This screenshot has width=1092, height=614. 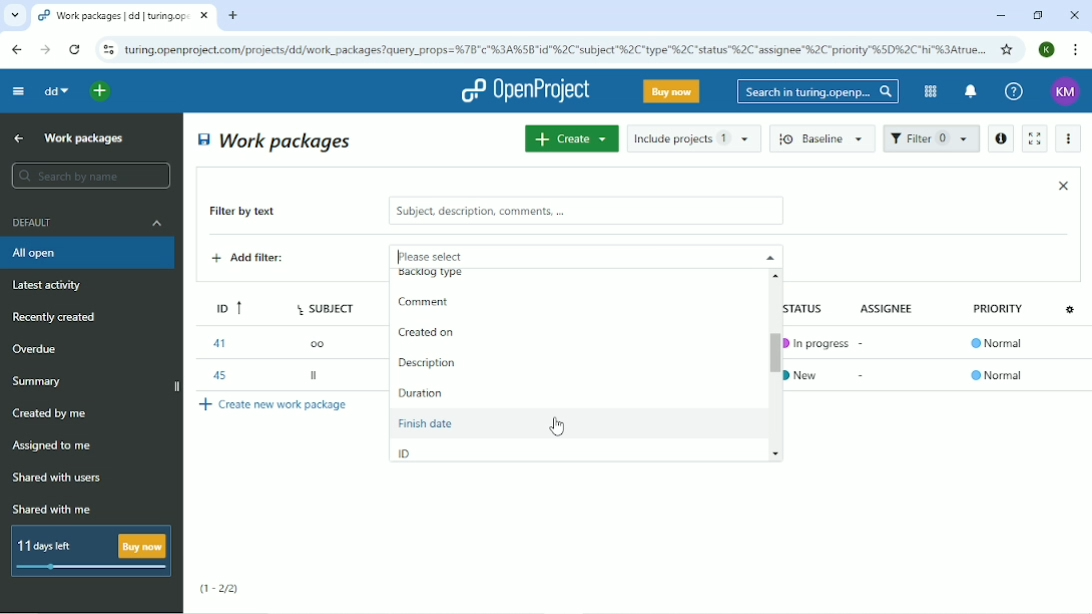 I want to click on Recently created, so click(x=58, y=317).